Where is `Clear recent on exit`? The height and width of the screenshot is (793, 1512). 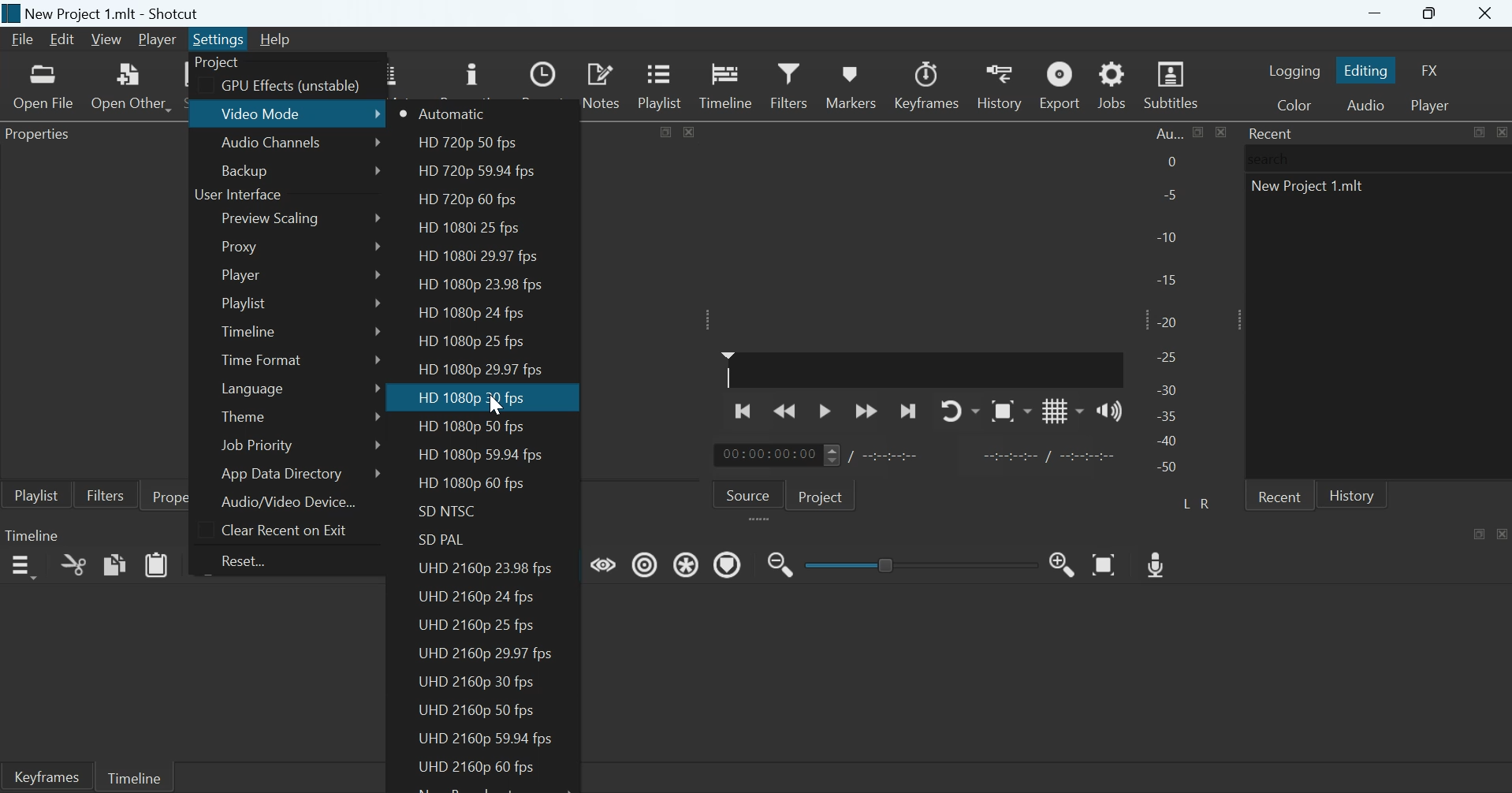
Clear recent on exit is located at coordinates (282, 529).